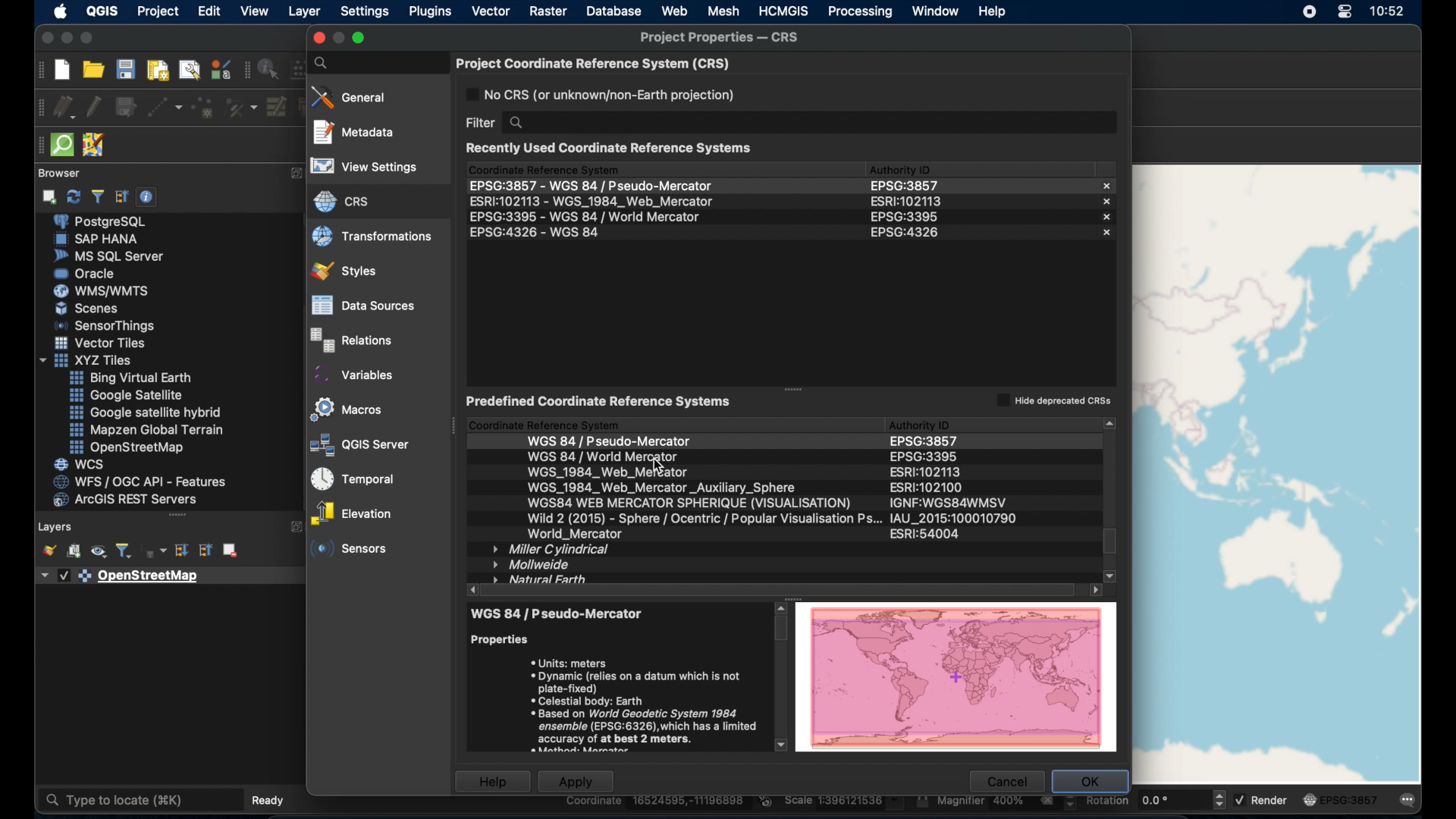  What do you see at coordinates (130, 378) in the screenshot?
I see `` at bounding box center [130, 378].